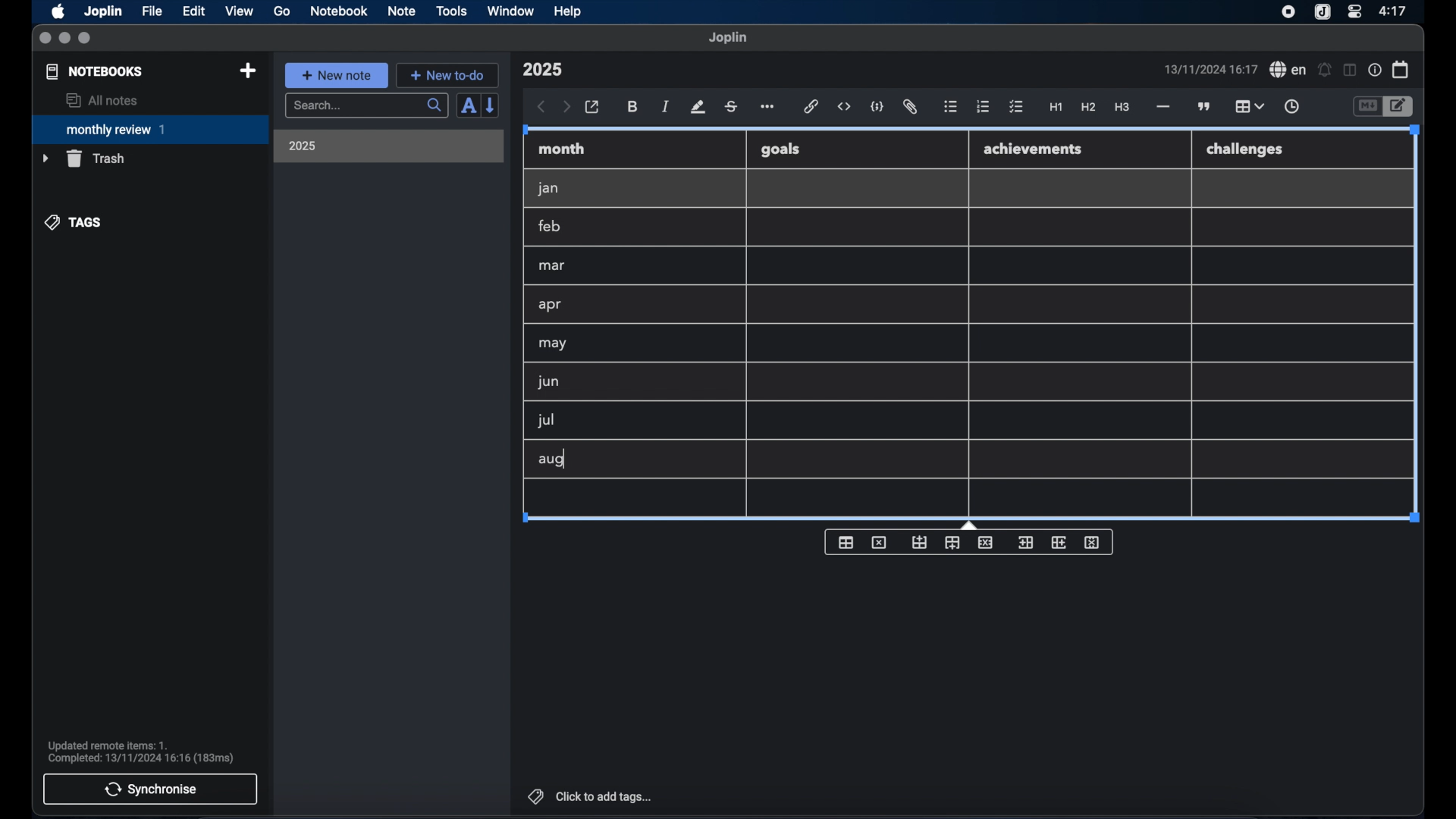 The width and height of the screenshot is (1456, 819). I want to click on monthly review, so click(150, 128).